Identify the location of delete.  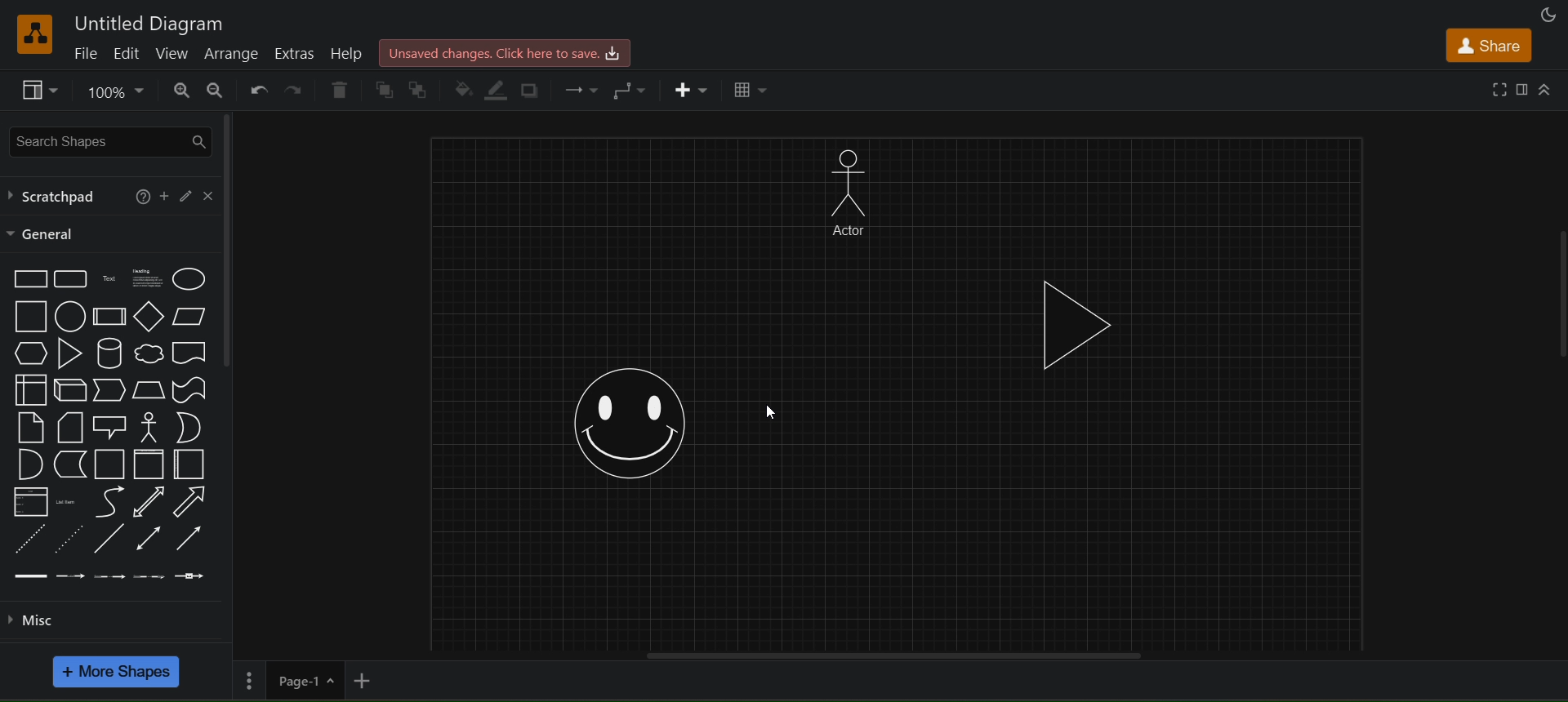
(340, 89).